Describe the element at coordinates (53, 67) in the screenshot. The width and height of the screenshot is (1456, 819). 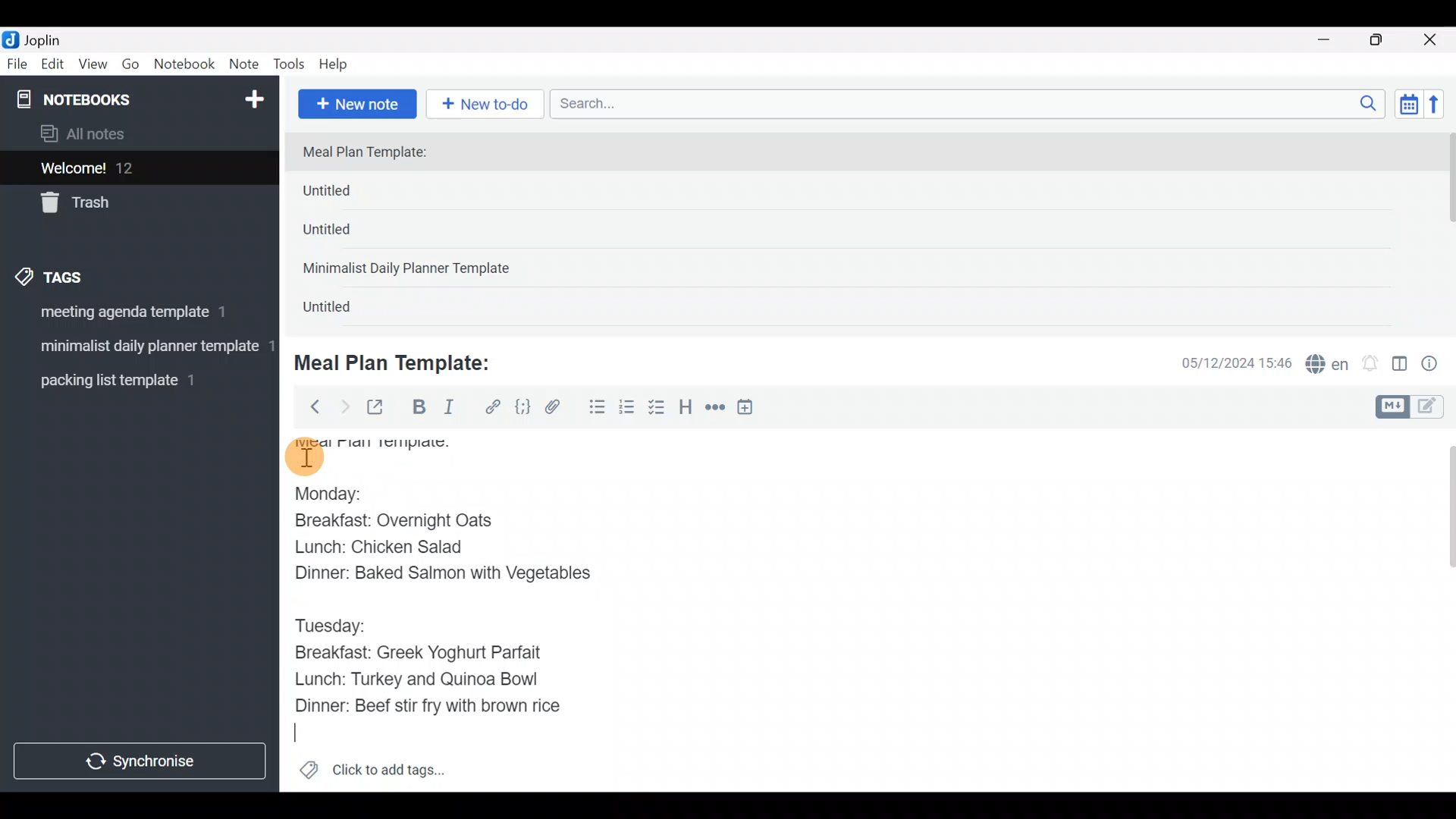
I see `Edit` at that location.